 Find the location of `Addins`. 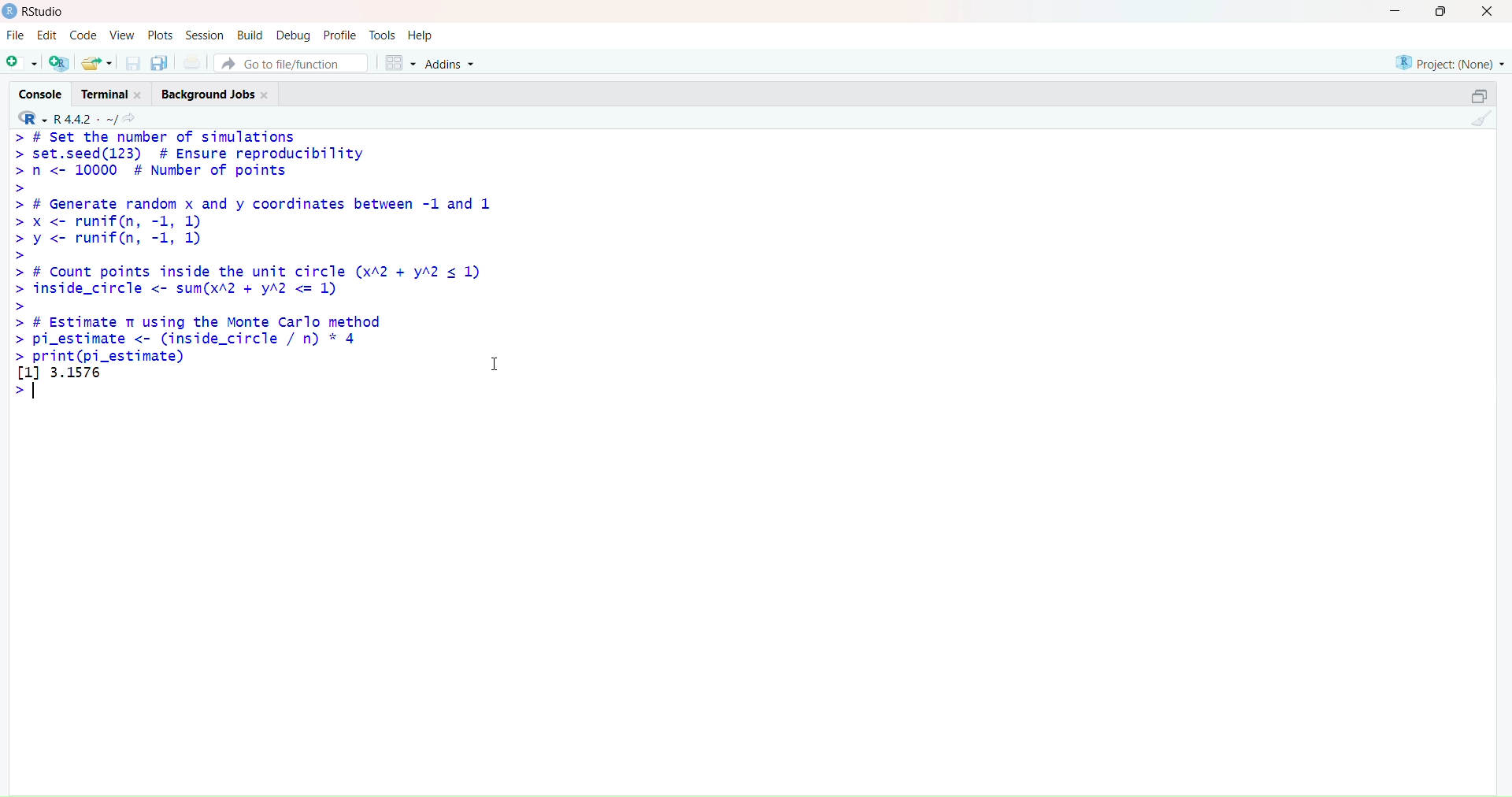

Addins is located at coordinates (452, 61).